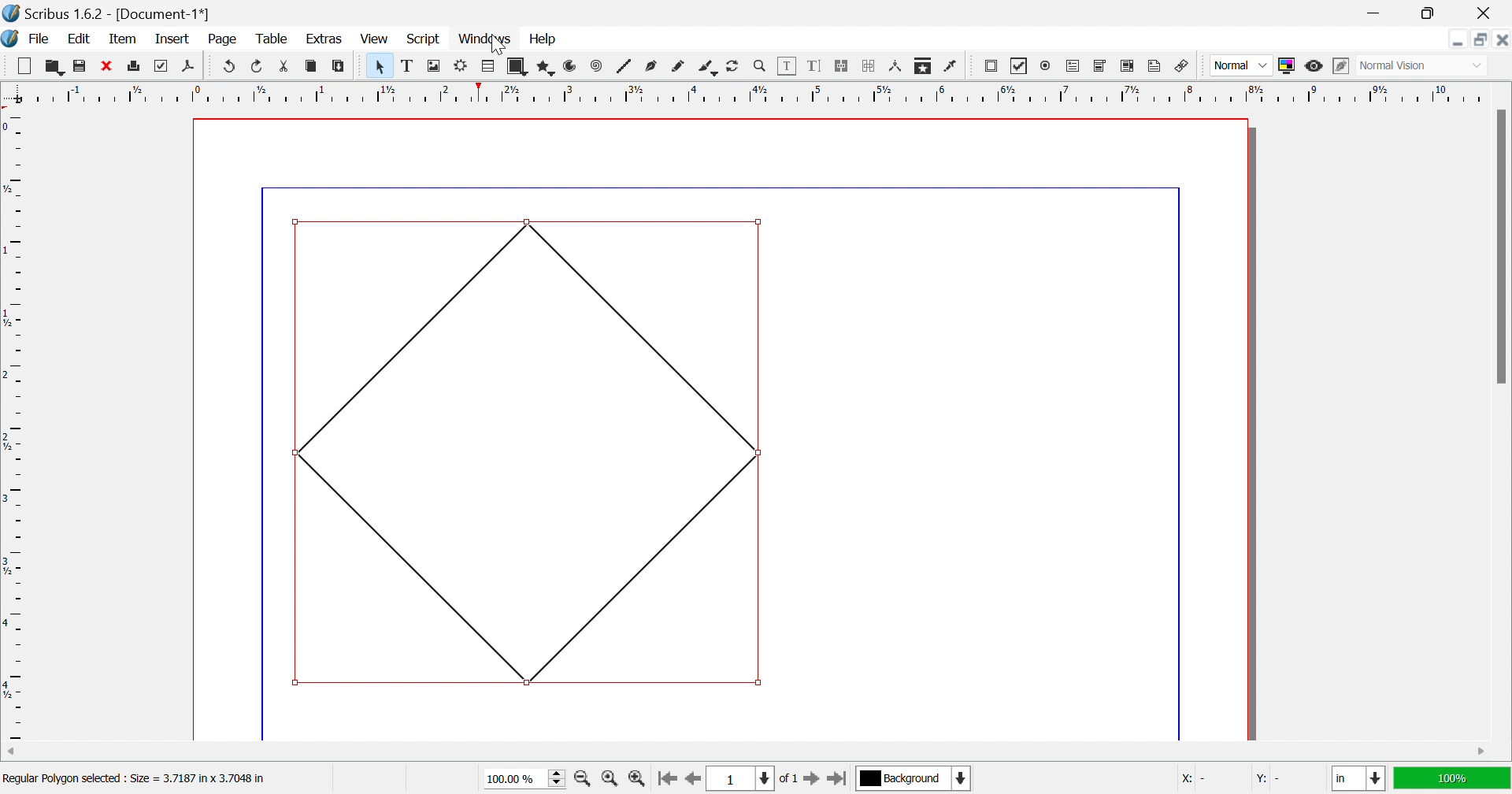  What do you see at coordinates (1458, 39) in the screenshot?
I see `Minimize` at bounding box center [1458, 39].